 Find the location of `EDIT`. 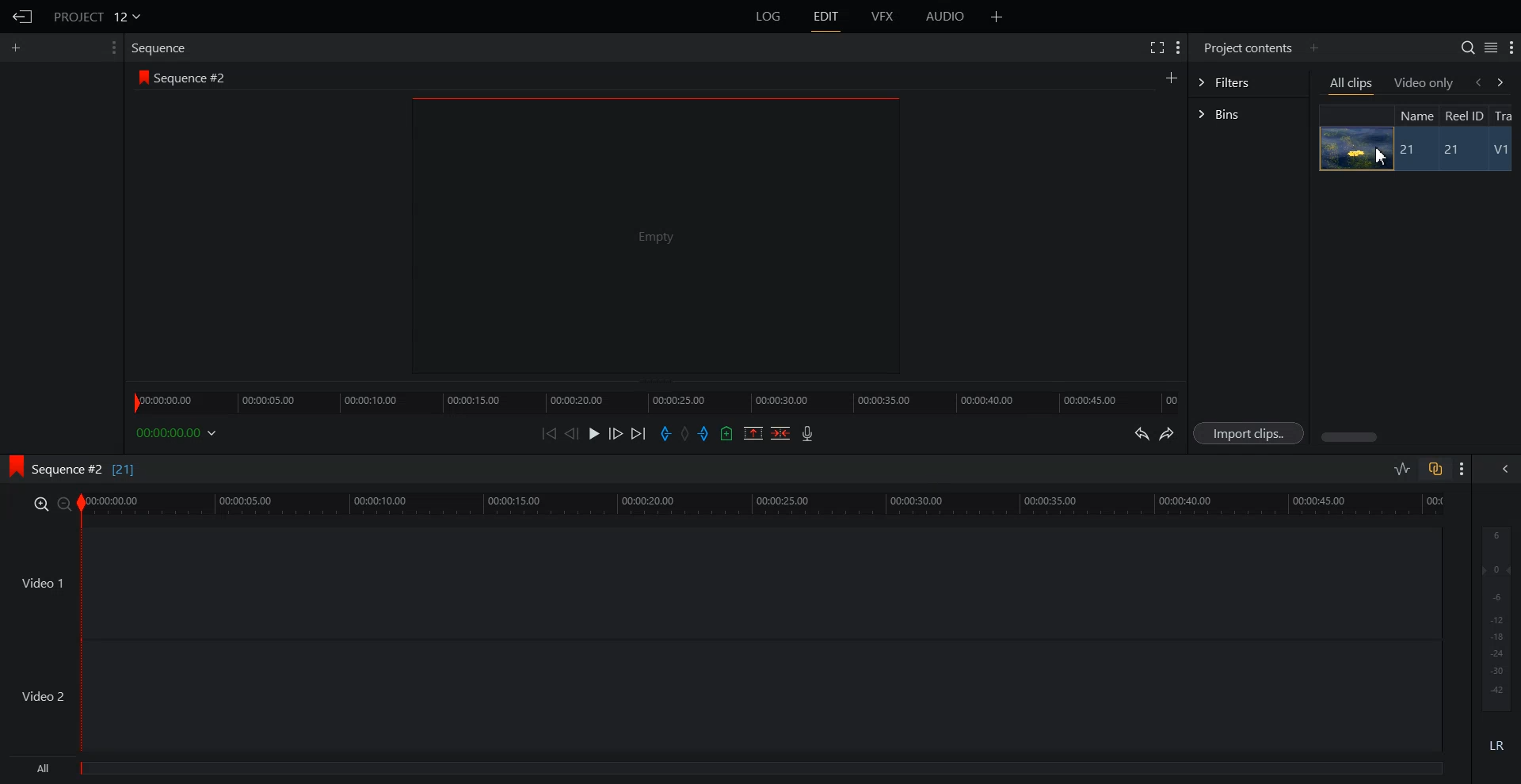

EDIT is located at coordinates (827, 17).